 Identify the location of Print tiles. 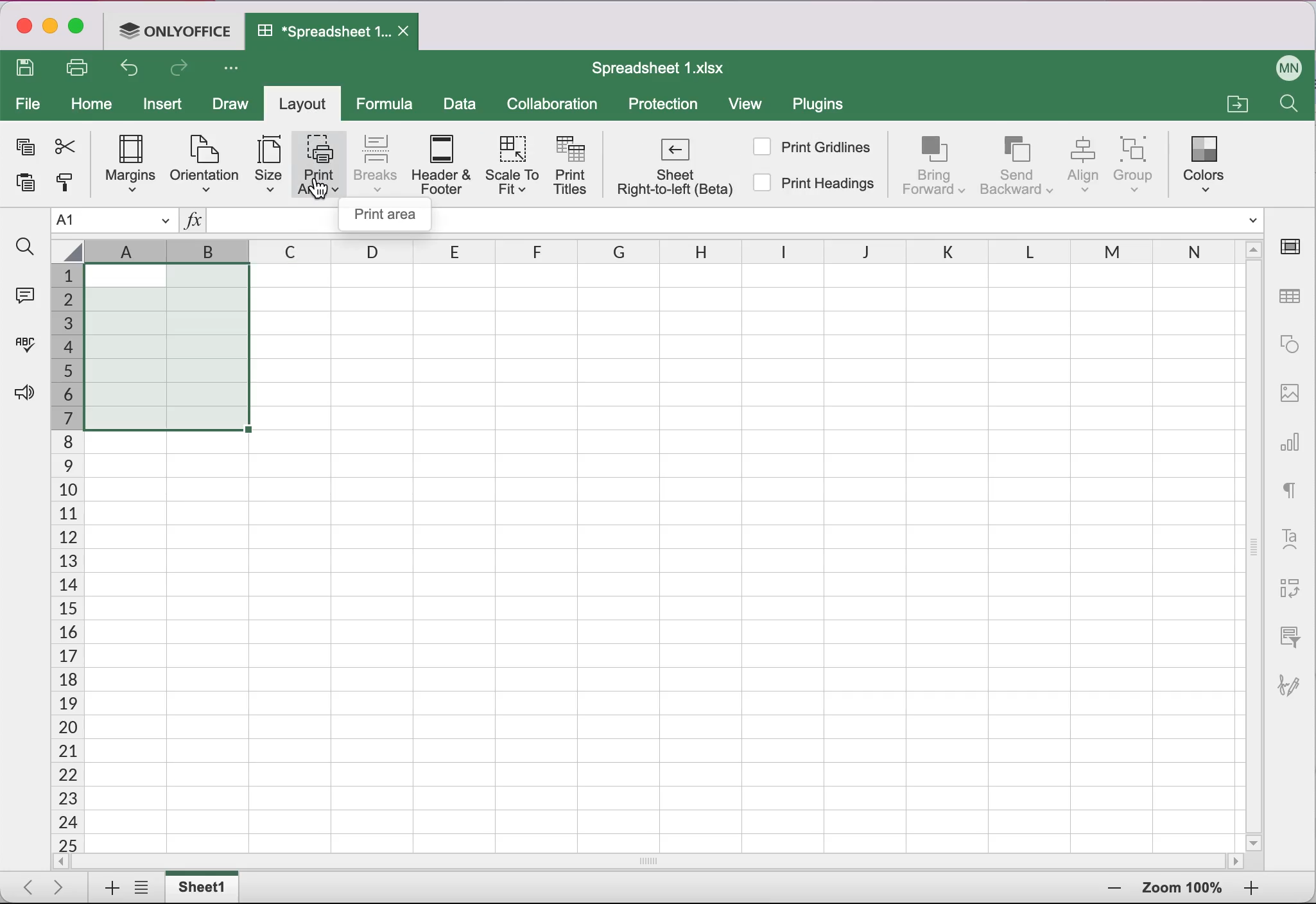
(576, 168).